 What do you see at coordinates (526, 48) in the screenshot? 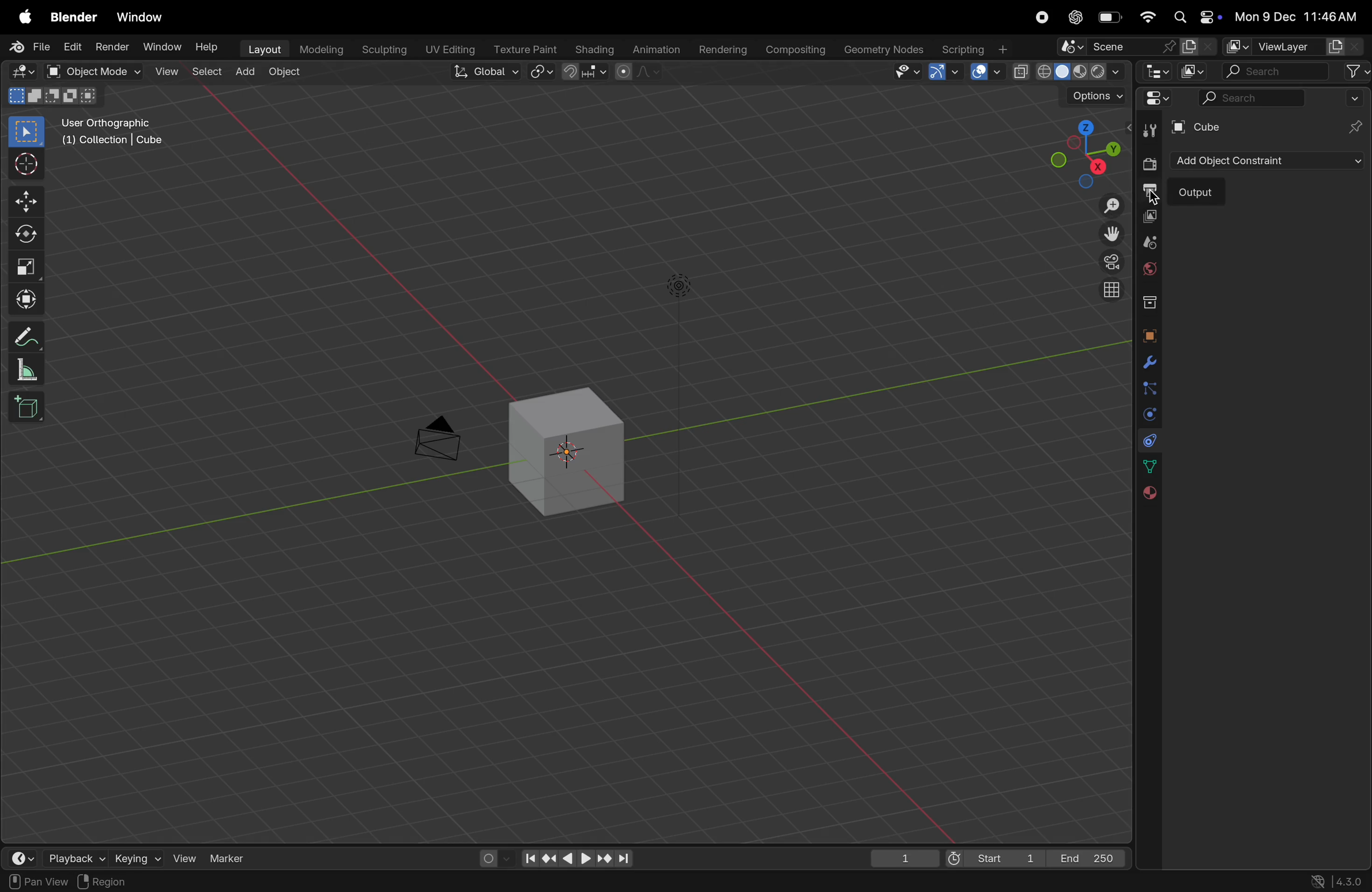
I see `texture point` at bounding box center [526, 48].